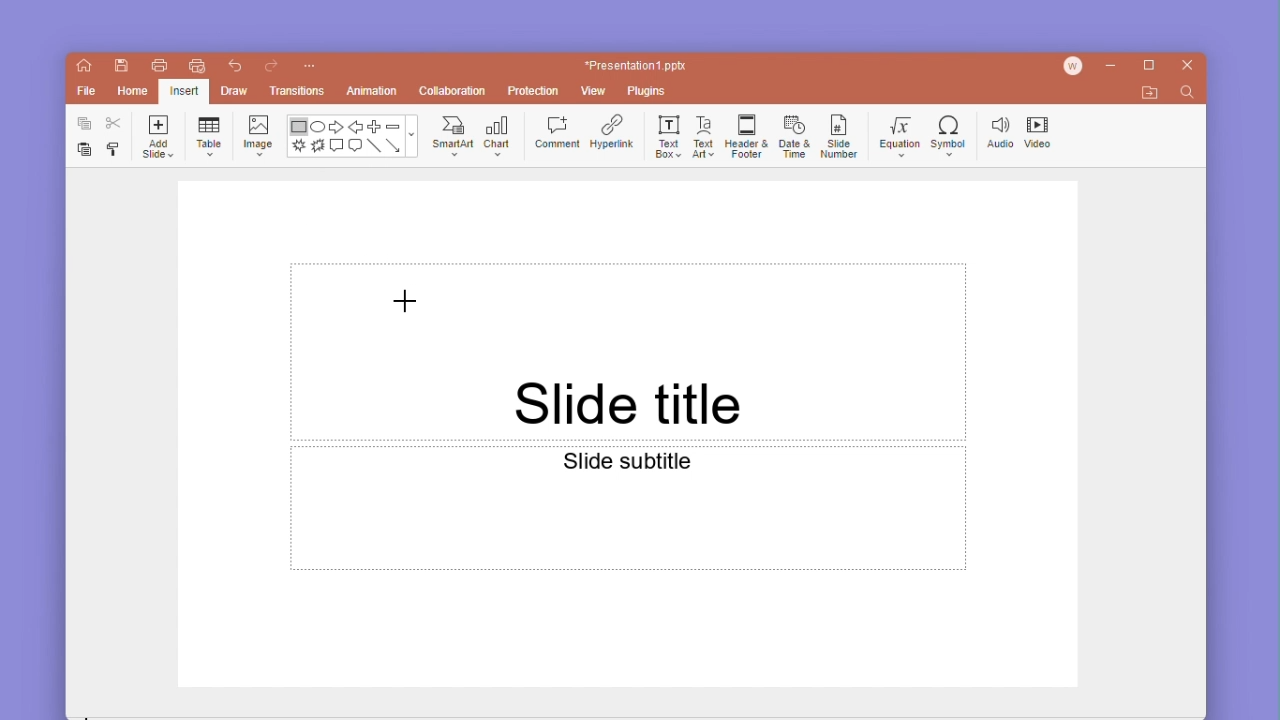 The width and height of the screenshot is (1280, 720). Describe the element at coordinates (636, 65) in the screenshot. I see `*Presentation1 ppt` at that location.